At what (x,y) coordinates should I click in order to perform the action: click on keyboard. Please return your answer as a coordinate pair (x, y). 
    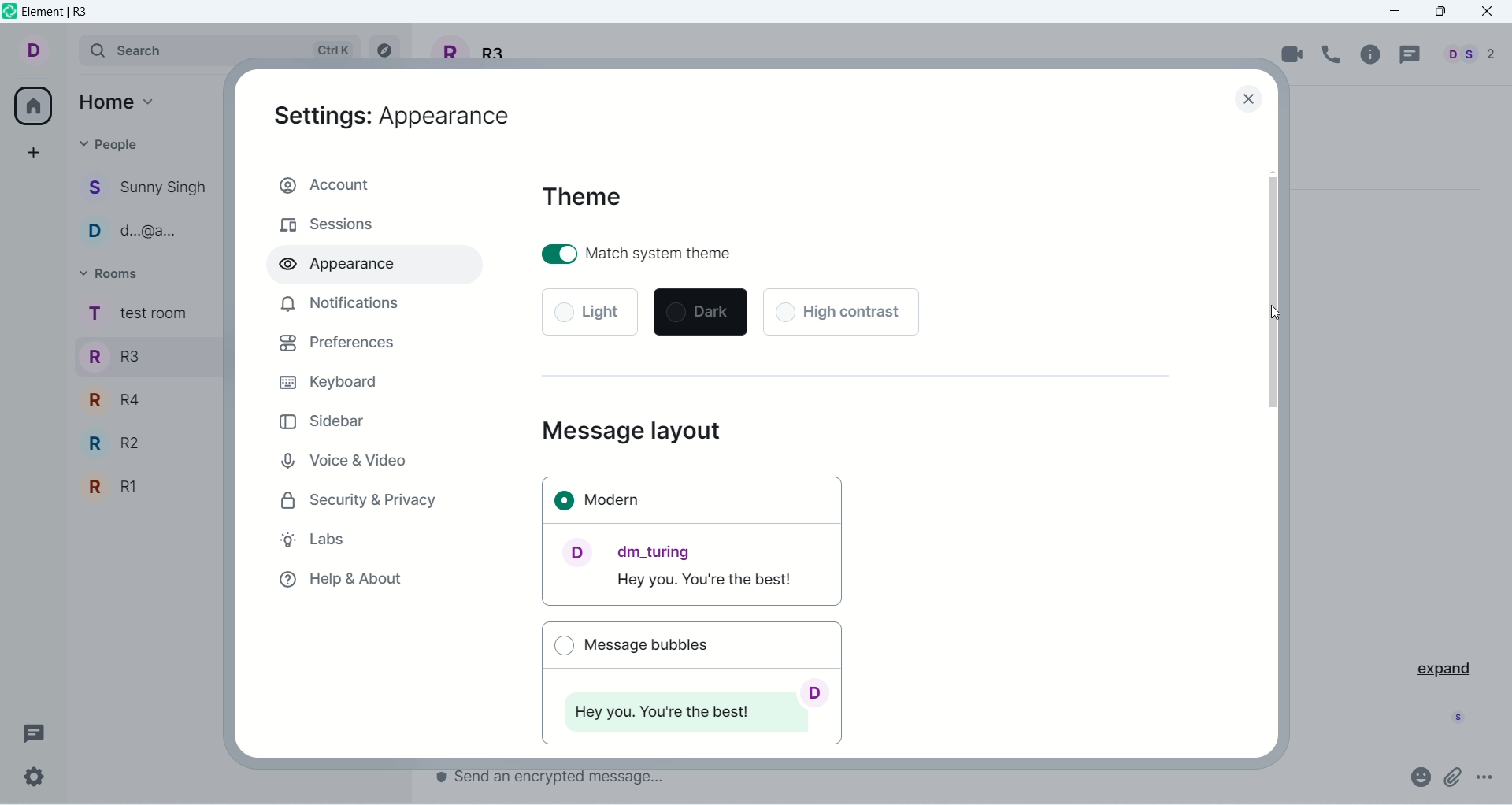
    Looking at the image, I should click on (327, 380).